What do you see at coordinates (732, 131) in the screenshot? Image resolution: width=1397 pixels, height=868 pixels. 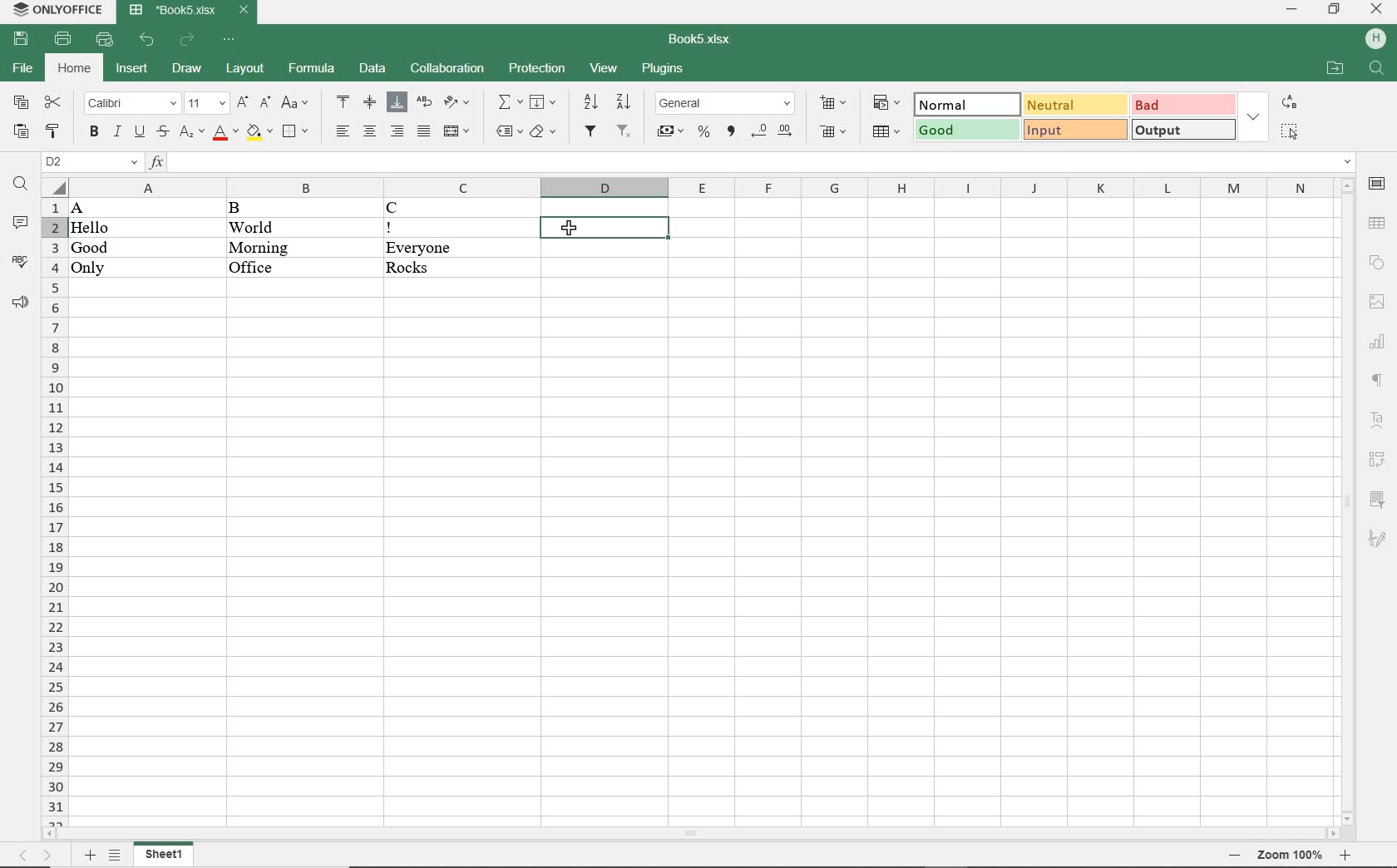 I see `COMMA STYLE` at bounding box center [732, 131].